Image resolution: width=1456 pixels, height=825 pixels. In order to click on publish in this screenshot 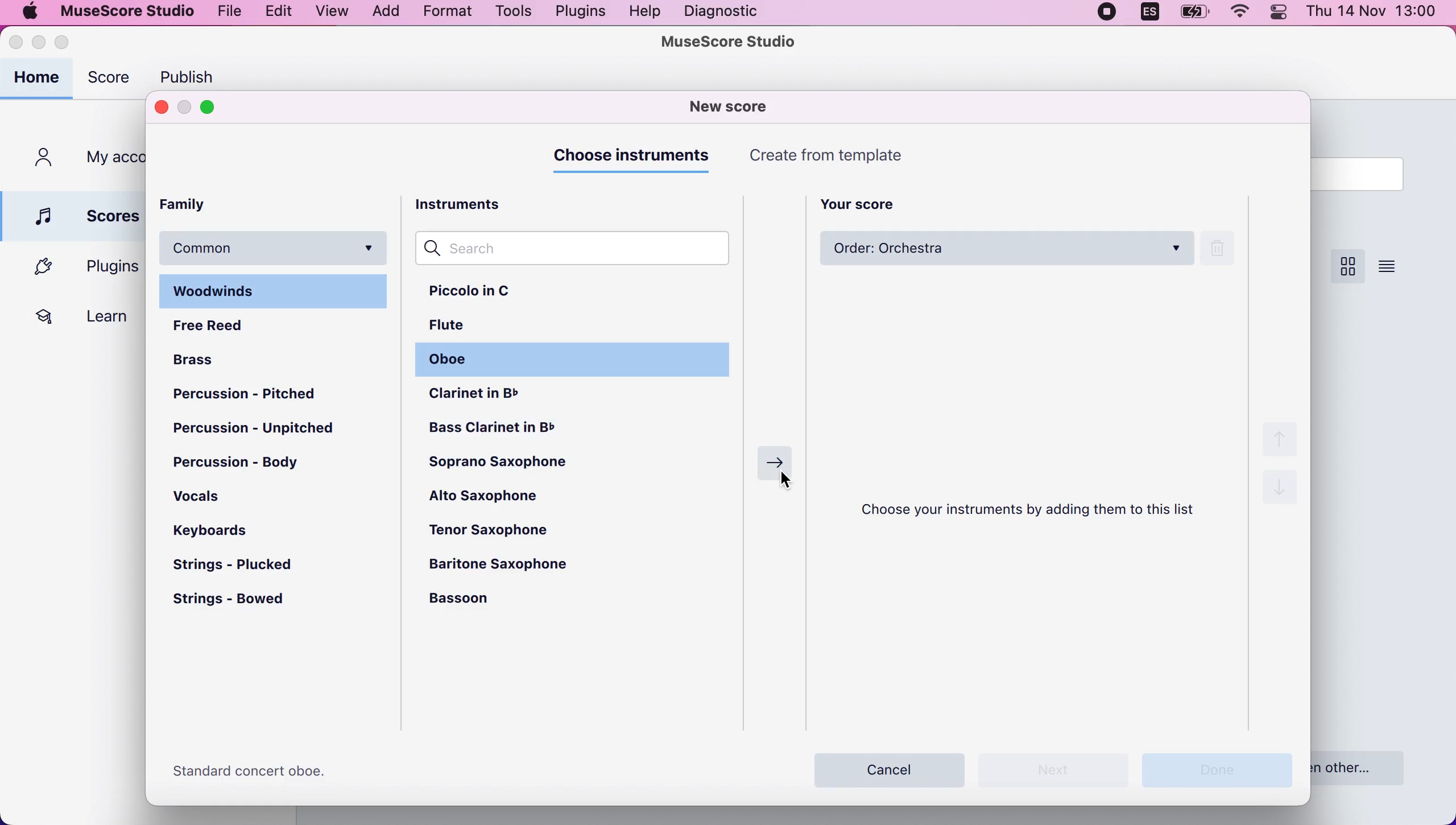, I will do `click(194, 74)`.